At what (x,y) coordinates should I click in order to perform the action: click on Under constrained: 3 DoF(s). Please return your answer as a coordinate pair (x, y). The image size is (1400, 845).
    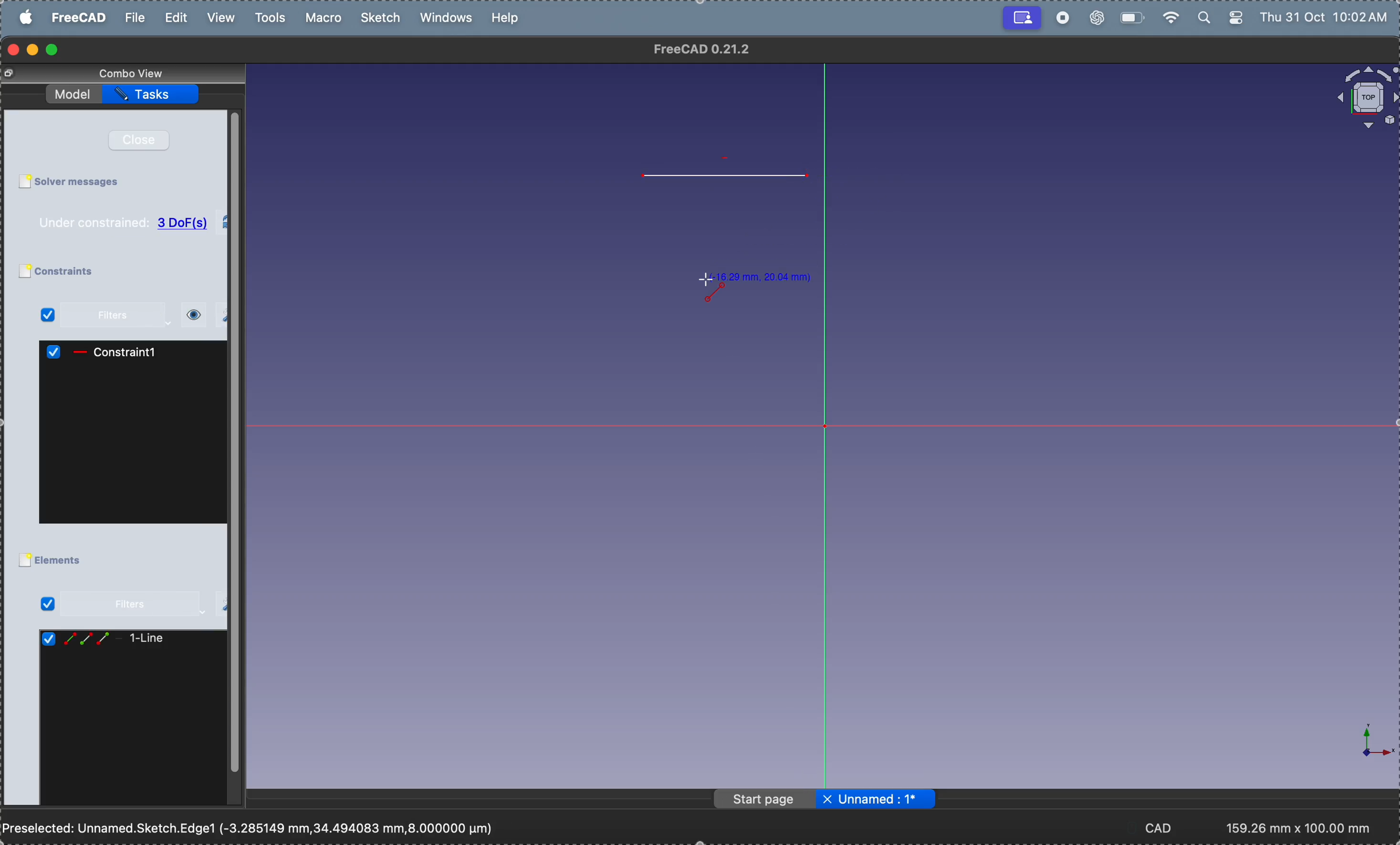
    Looking at the image, I should click on (124, 223).